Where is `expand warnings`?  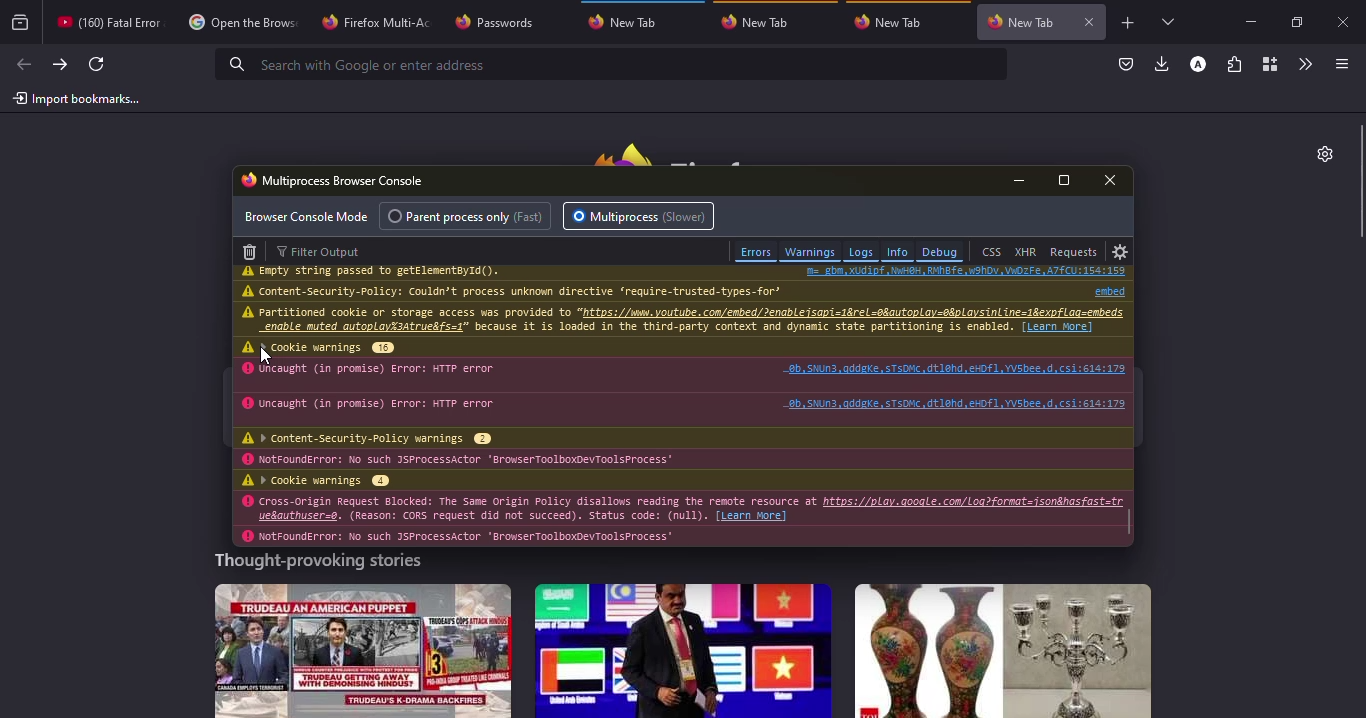 expand warnings is located at coordinates (328, 481).